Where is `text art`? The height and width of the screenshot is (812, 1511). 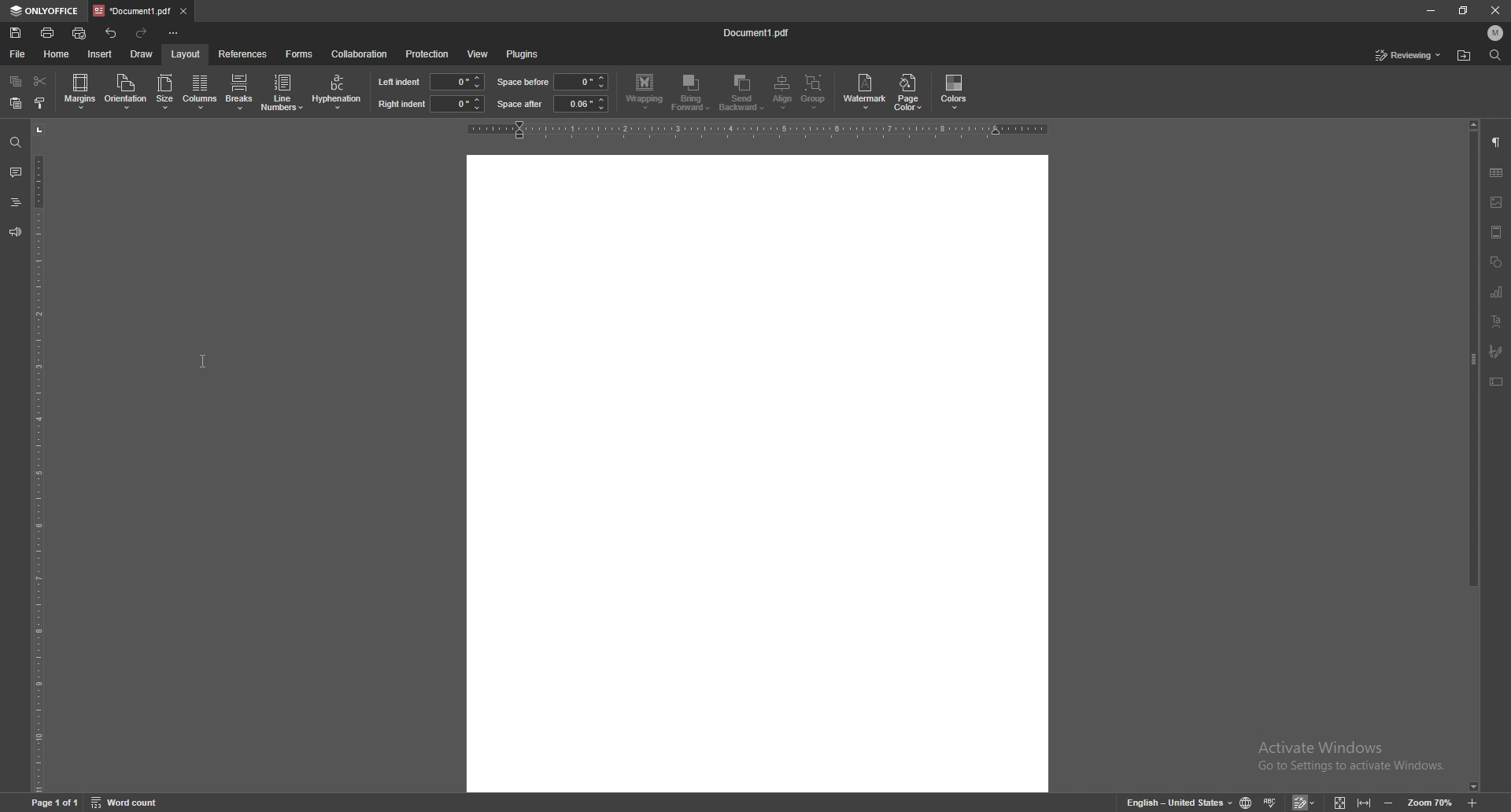 text art is located at coordinates (1498, 321).